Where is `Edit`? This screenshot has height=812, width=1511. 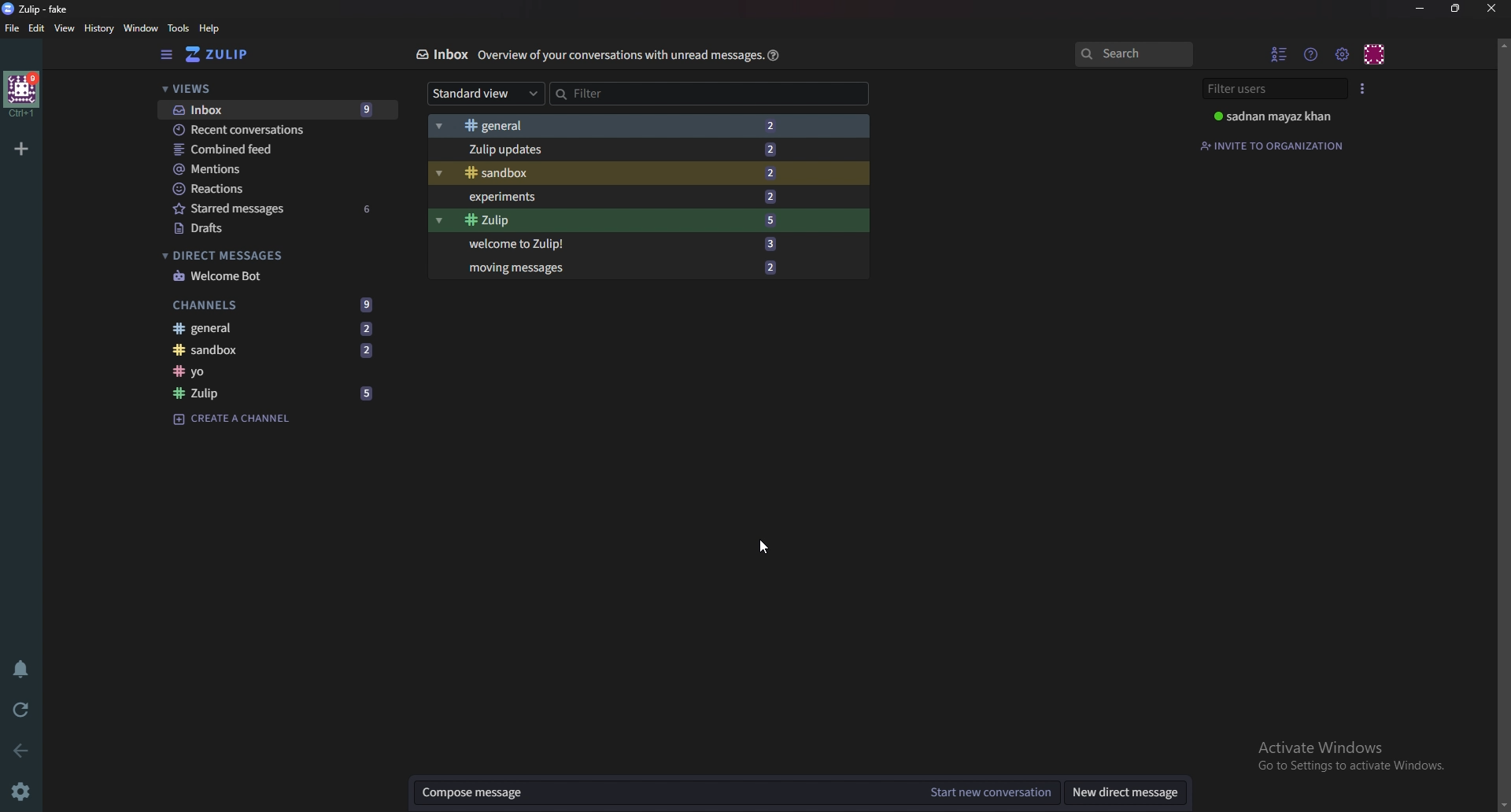
Edit is located at coordinates (38, 30).